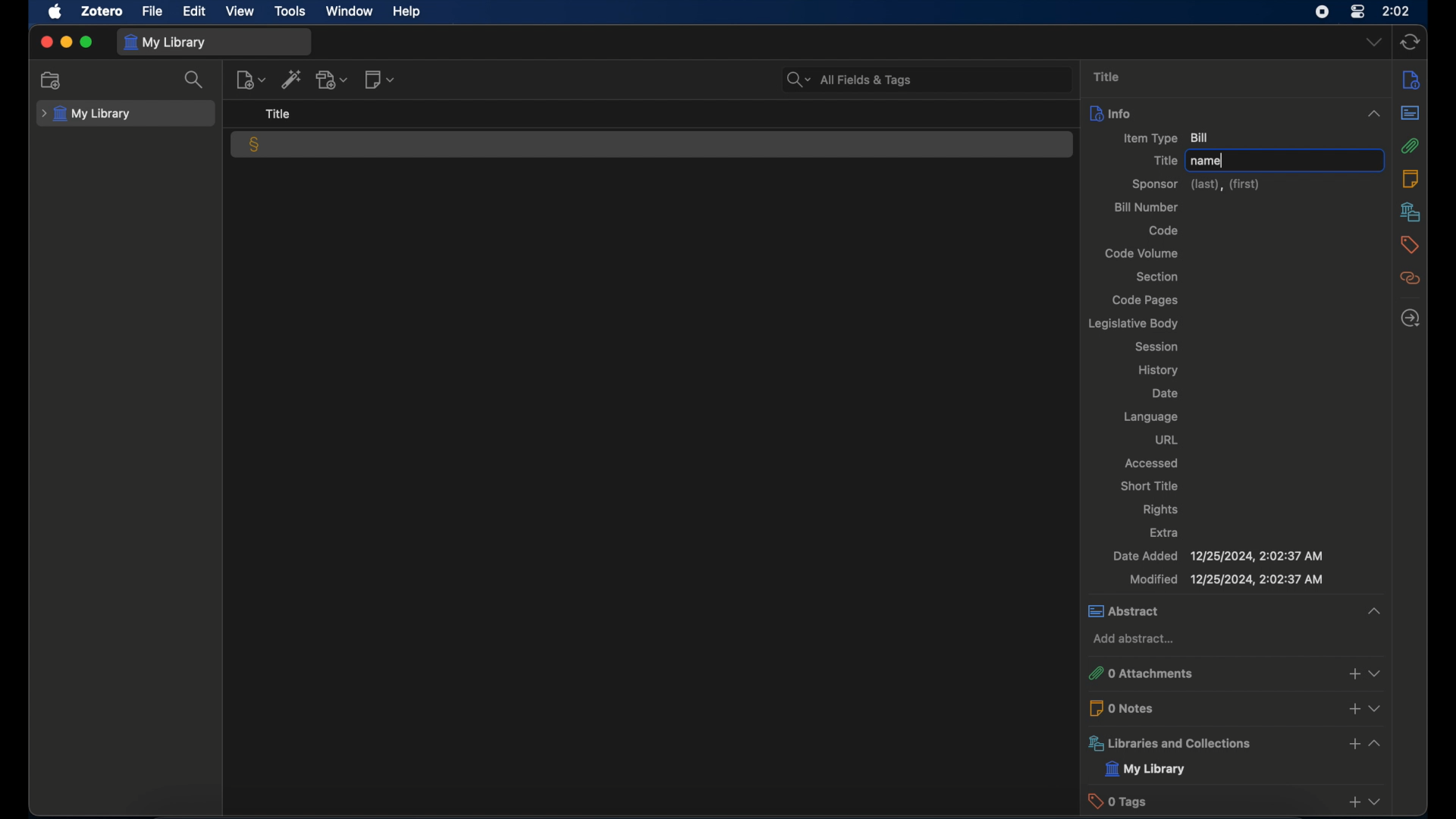 This screenshot has height=819, width=1456. Describe the element at coordinates (1410, 212) in the screenshot. I see `libraries` at that location.